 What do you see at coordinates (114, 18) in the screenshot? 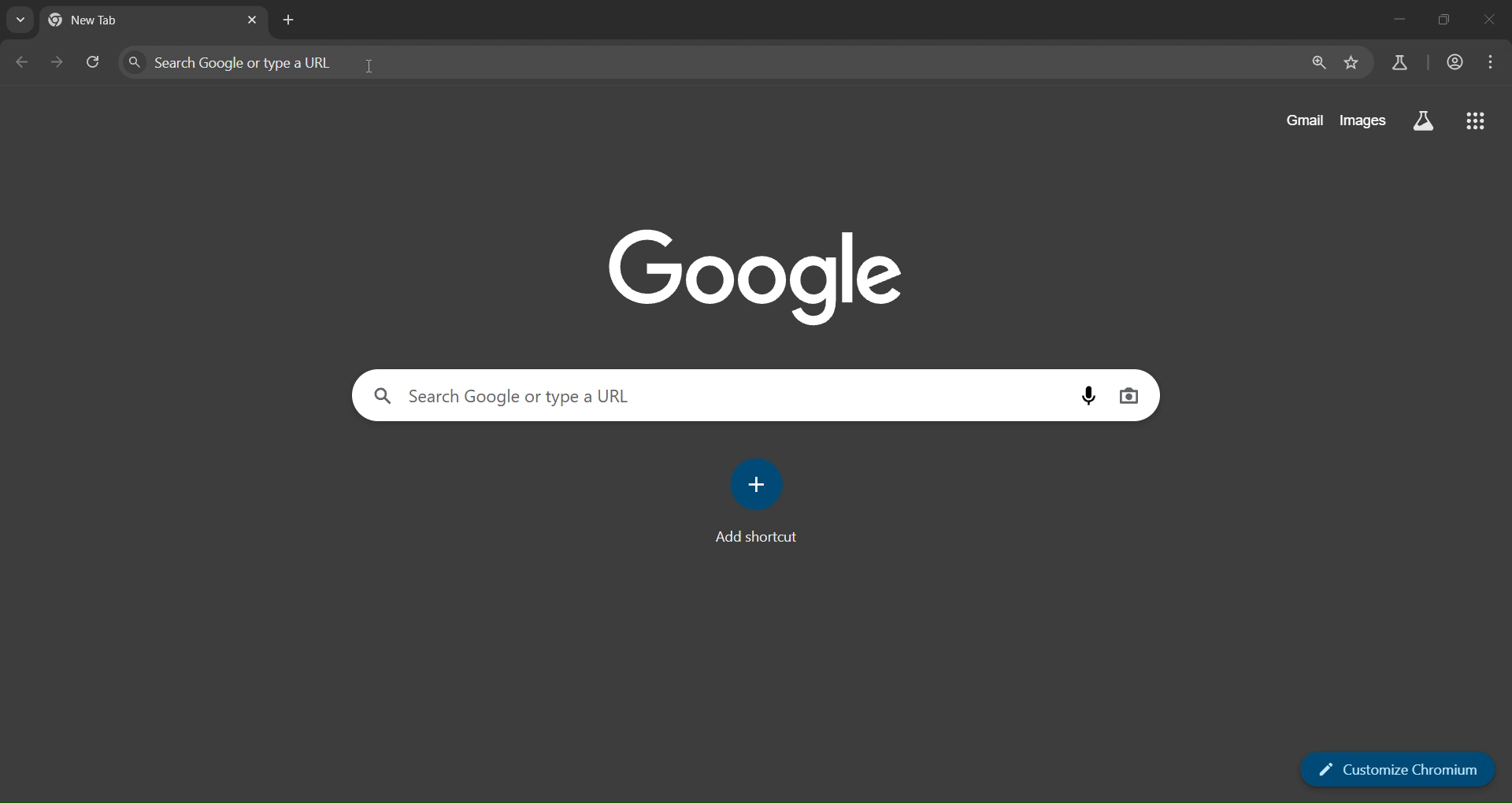
I see `new tab` at bounding box center [114, 18].